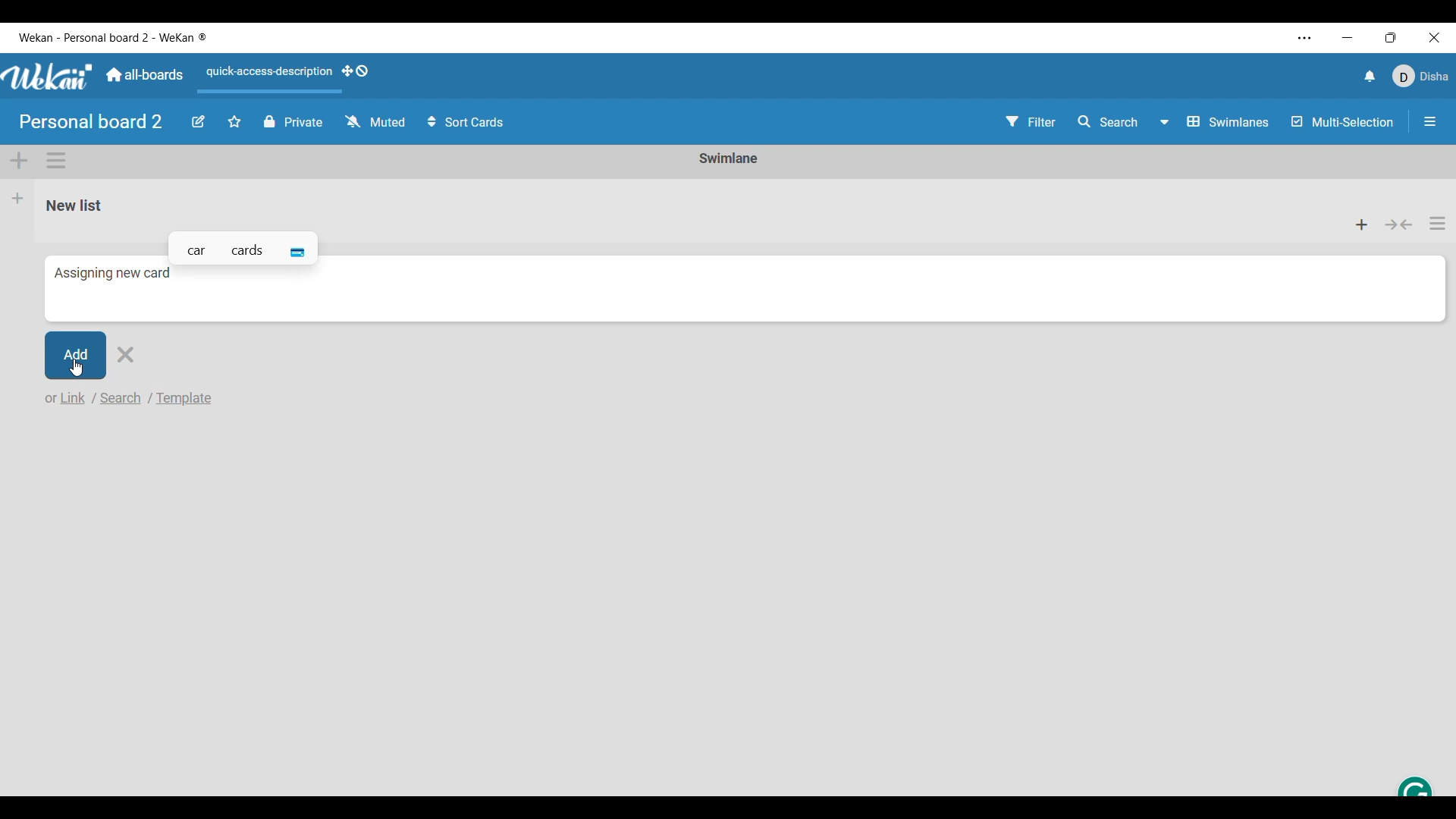 The width and height of the screenshot is (1456, 819). What do you see at coordinates (112, 38) in the screenshot?
I see `Software and board name` at bounding box center [112, 38].